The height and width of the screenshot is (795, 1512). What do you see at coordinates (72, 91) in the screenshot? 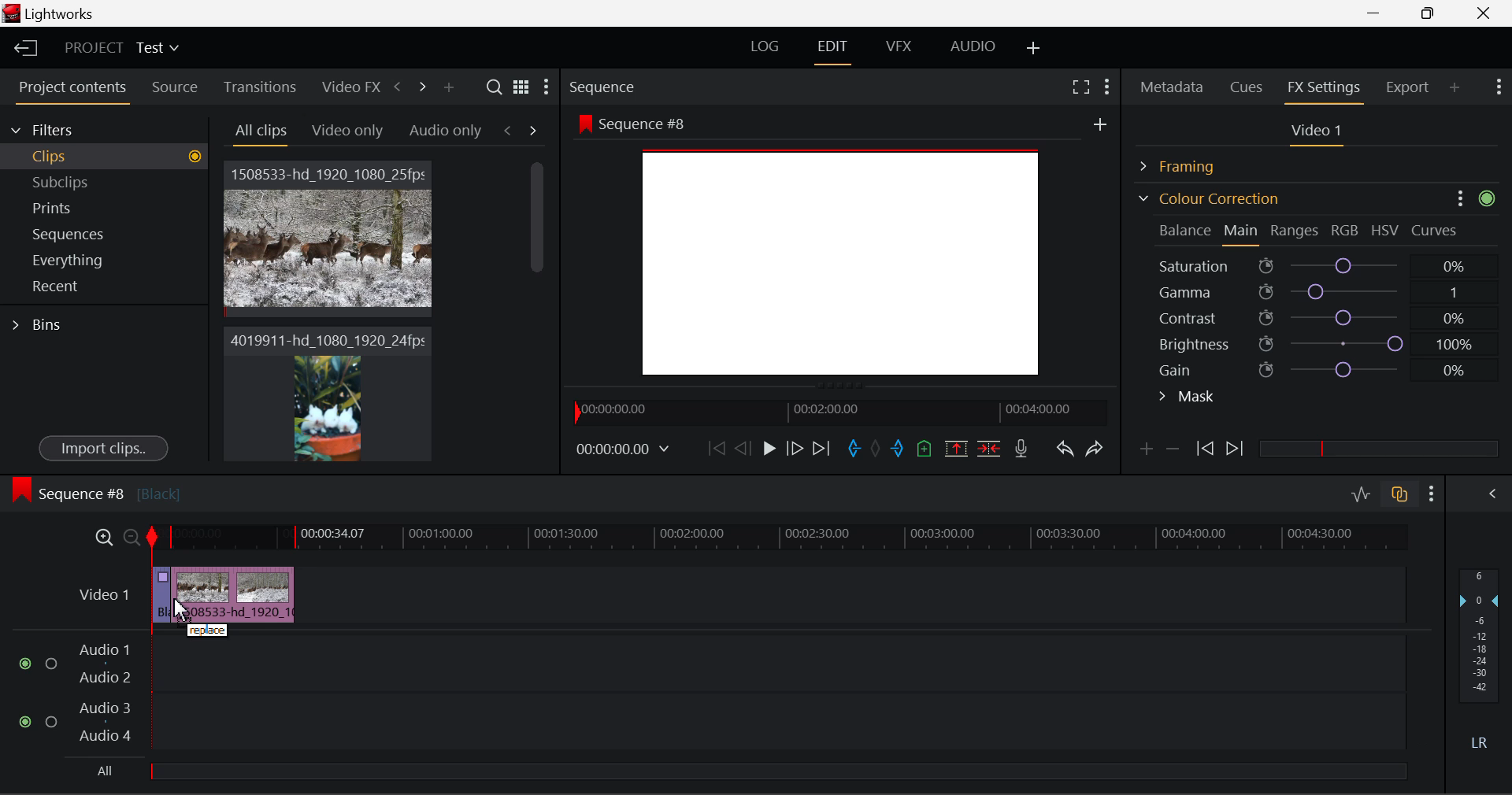
I see `Project contents` at bounding box center [72, 91].